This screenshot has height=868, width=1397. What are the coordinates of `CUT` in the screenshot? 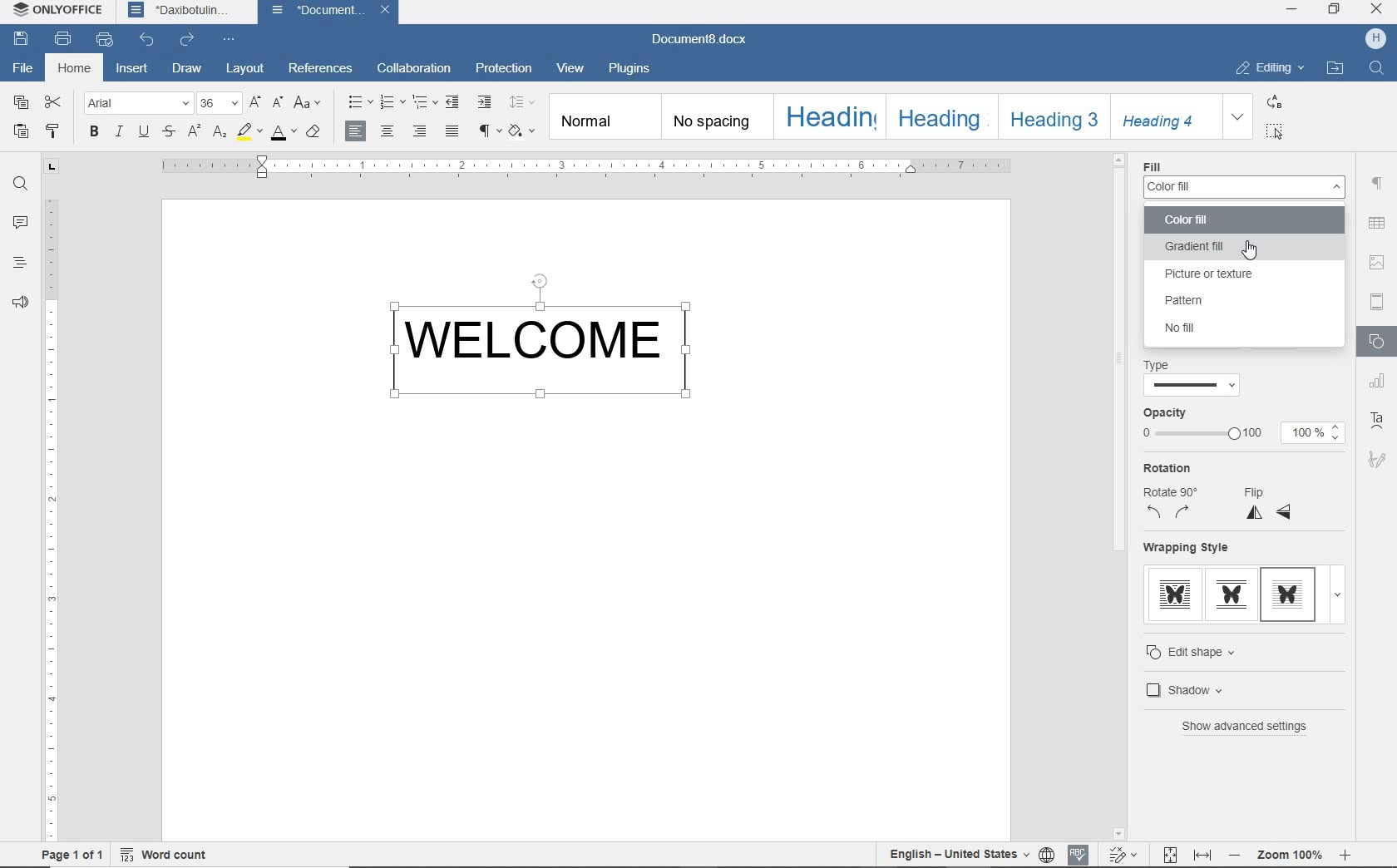 It's located at (55, 102).